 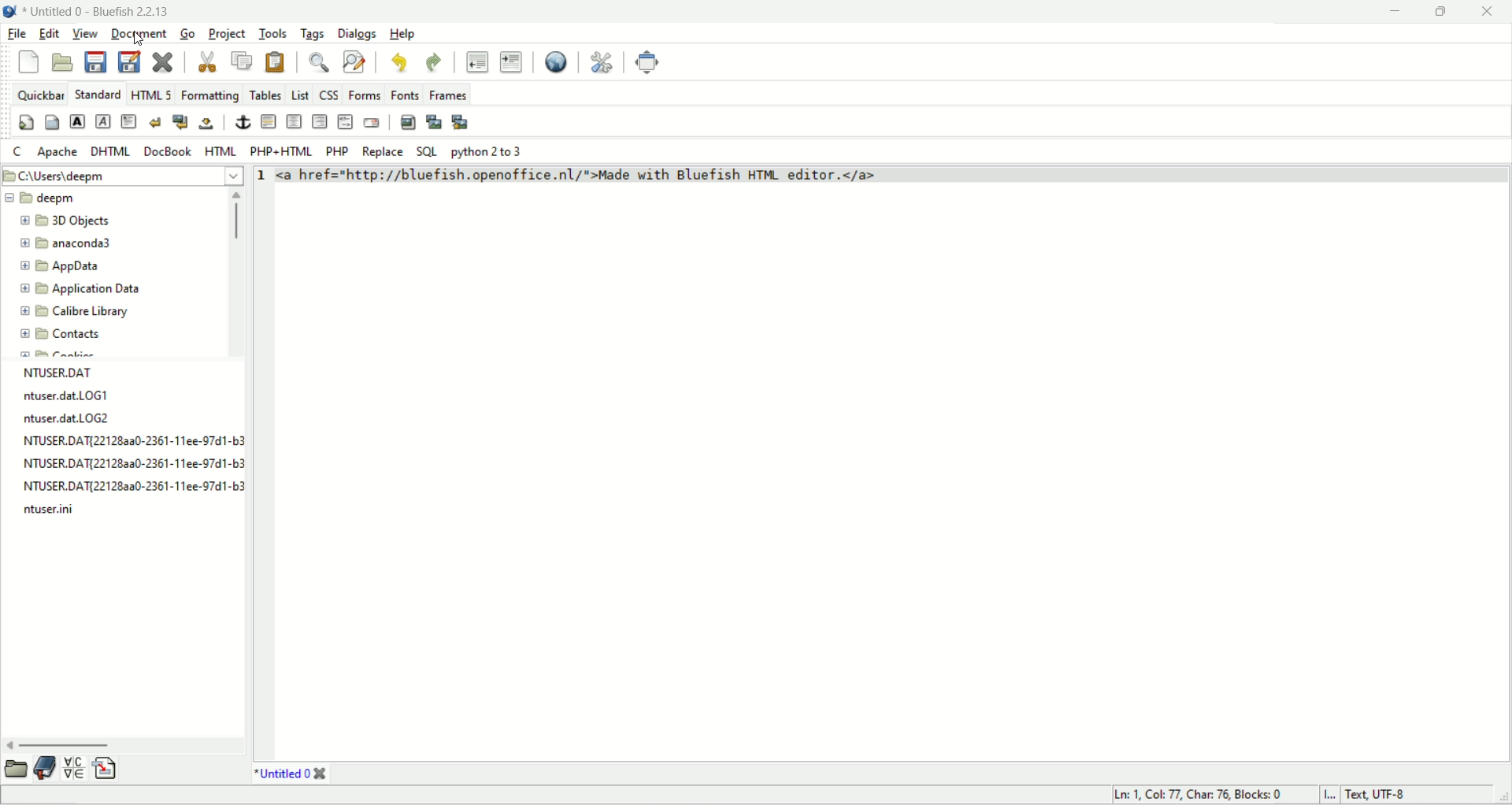 I want to click on dialogs, so click(x=356, y=32).